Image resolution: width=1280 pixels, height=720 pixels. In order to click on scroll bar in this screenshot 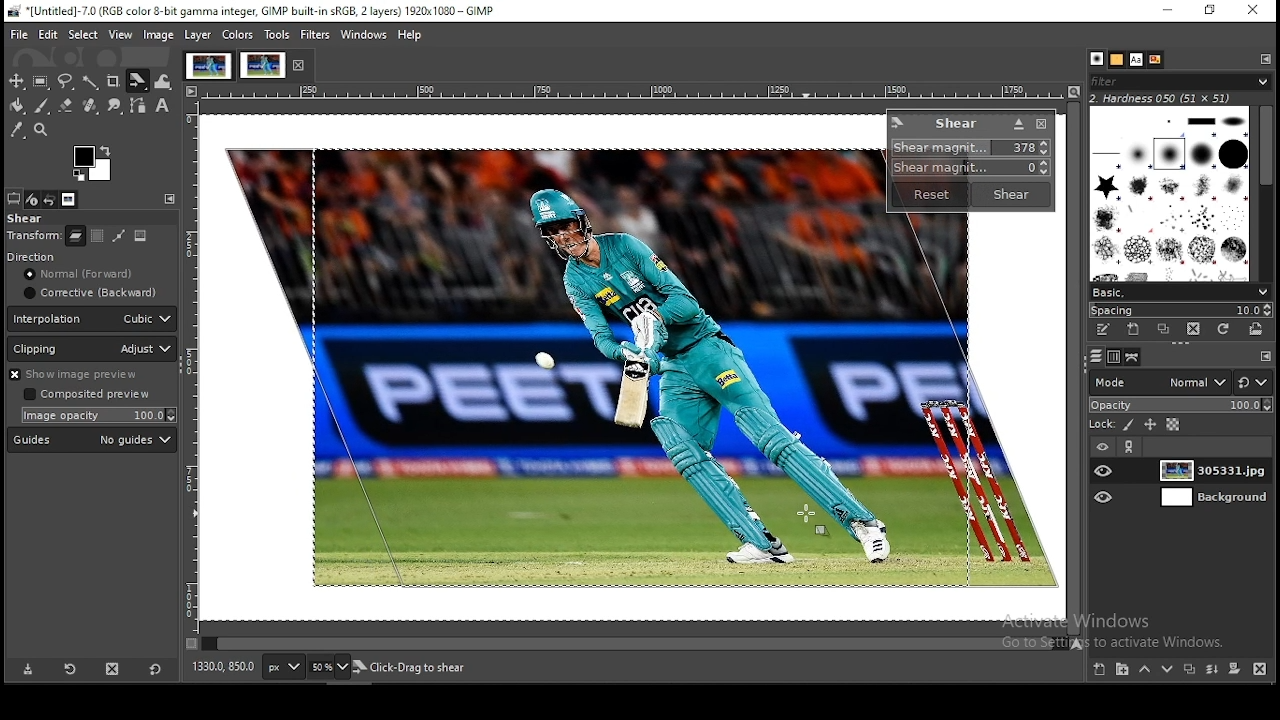, I will do `click(1265, 191)`.